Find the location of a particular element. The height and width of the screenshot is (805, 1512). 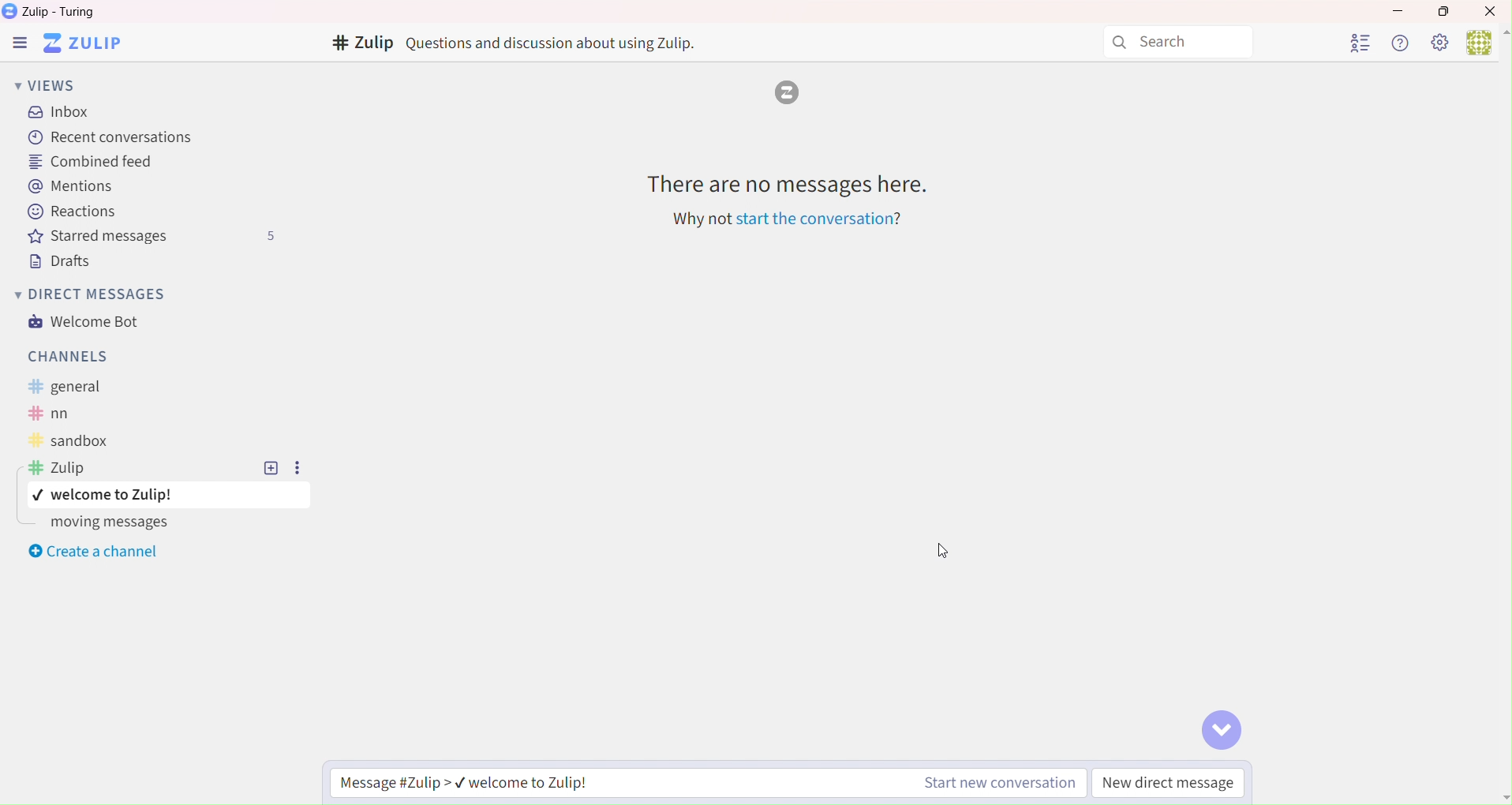

Mentions is located at coordinates (69, 186).